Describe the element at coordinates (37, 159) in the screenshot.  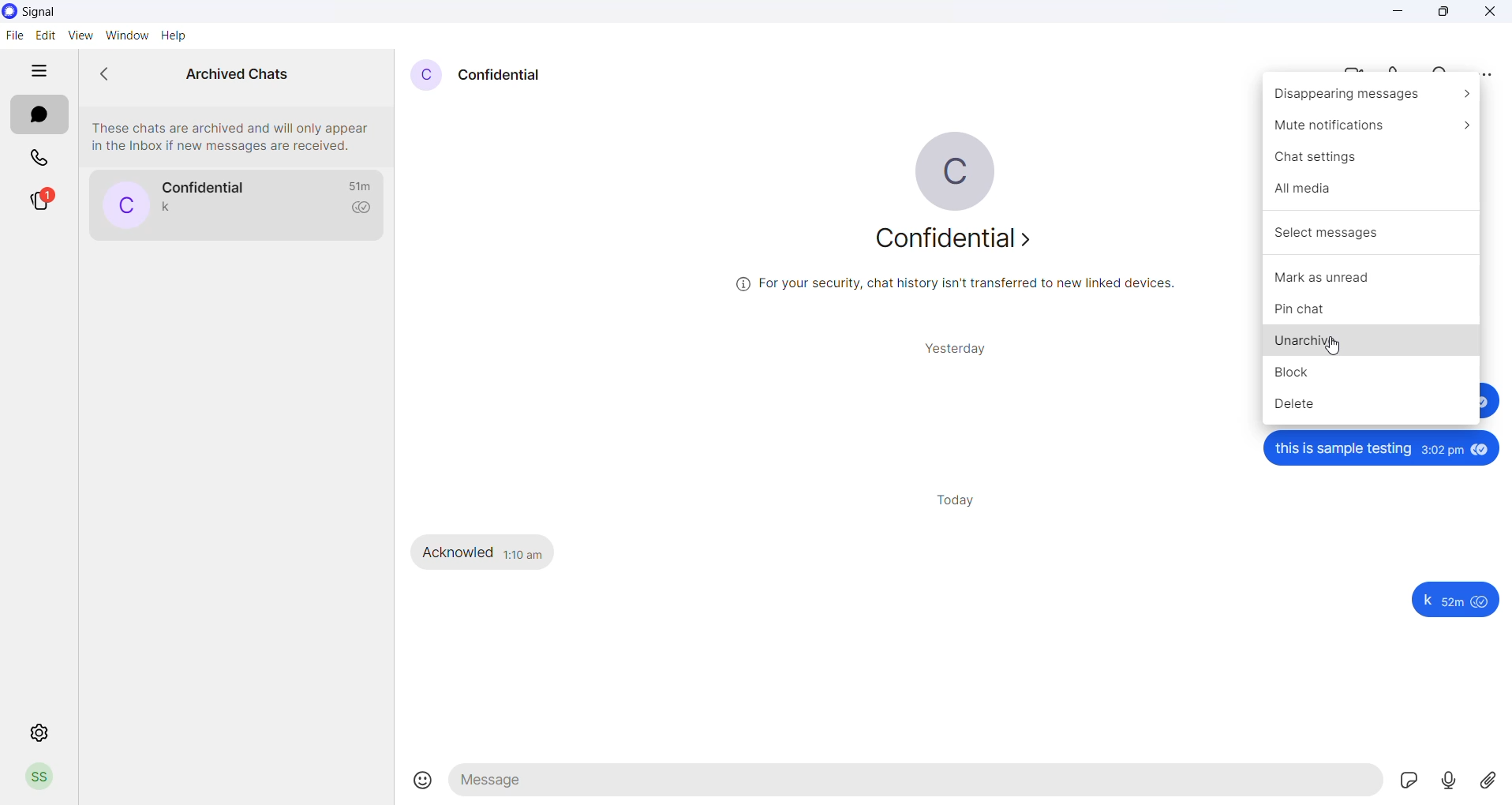
I see `calls` at that location.